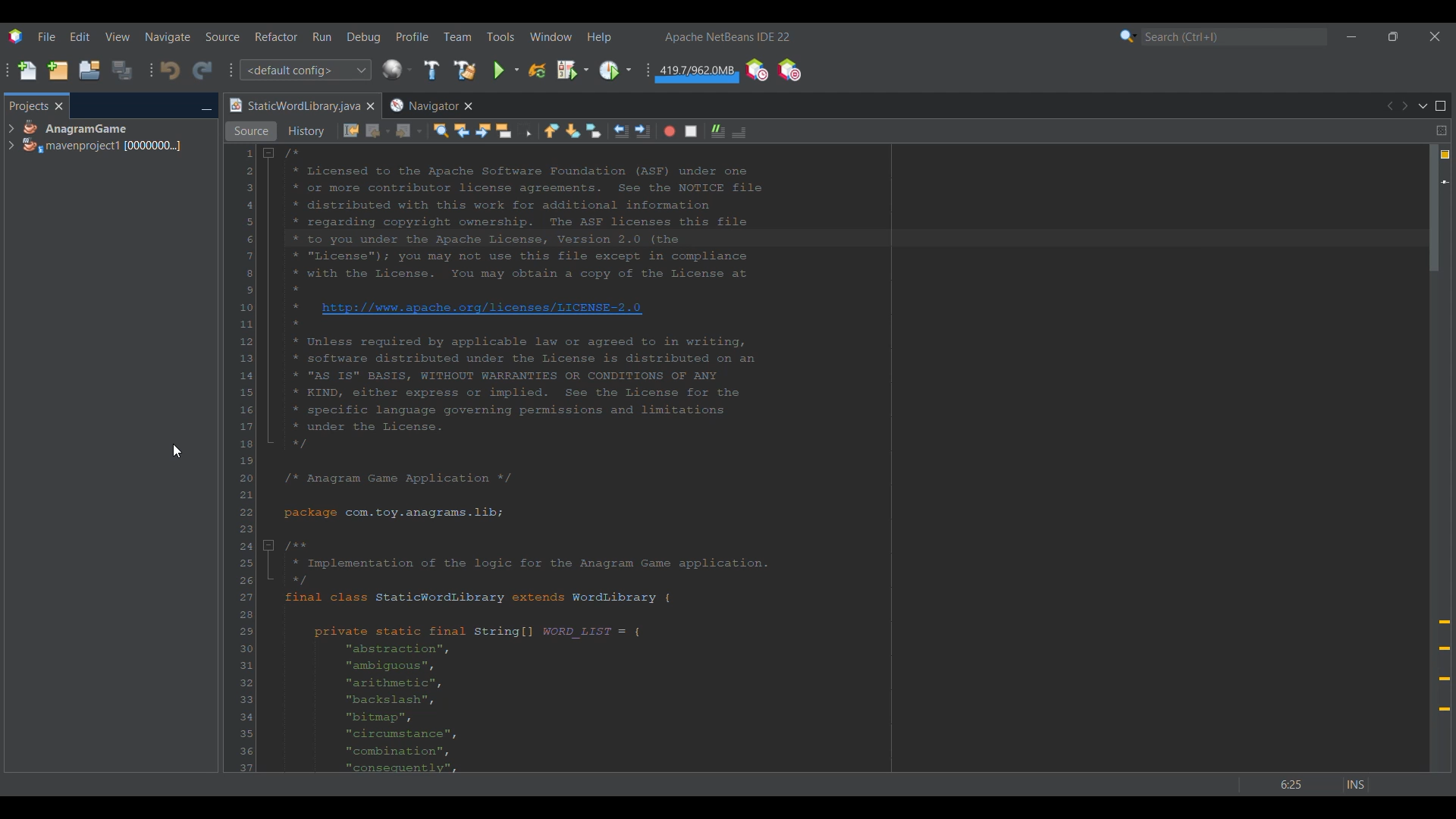 This screenshot has width=1456, height=819. What do you see at coordinates (118, 36) in the screenshot?
I see `View menu` at bounding box center [118, 36].